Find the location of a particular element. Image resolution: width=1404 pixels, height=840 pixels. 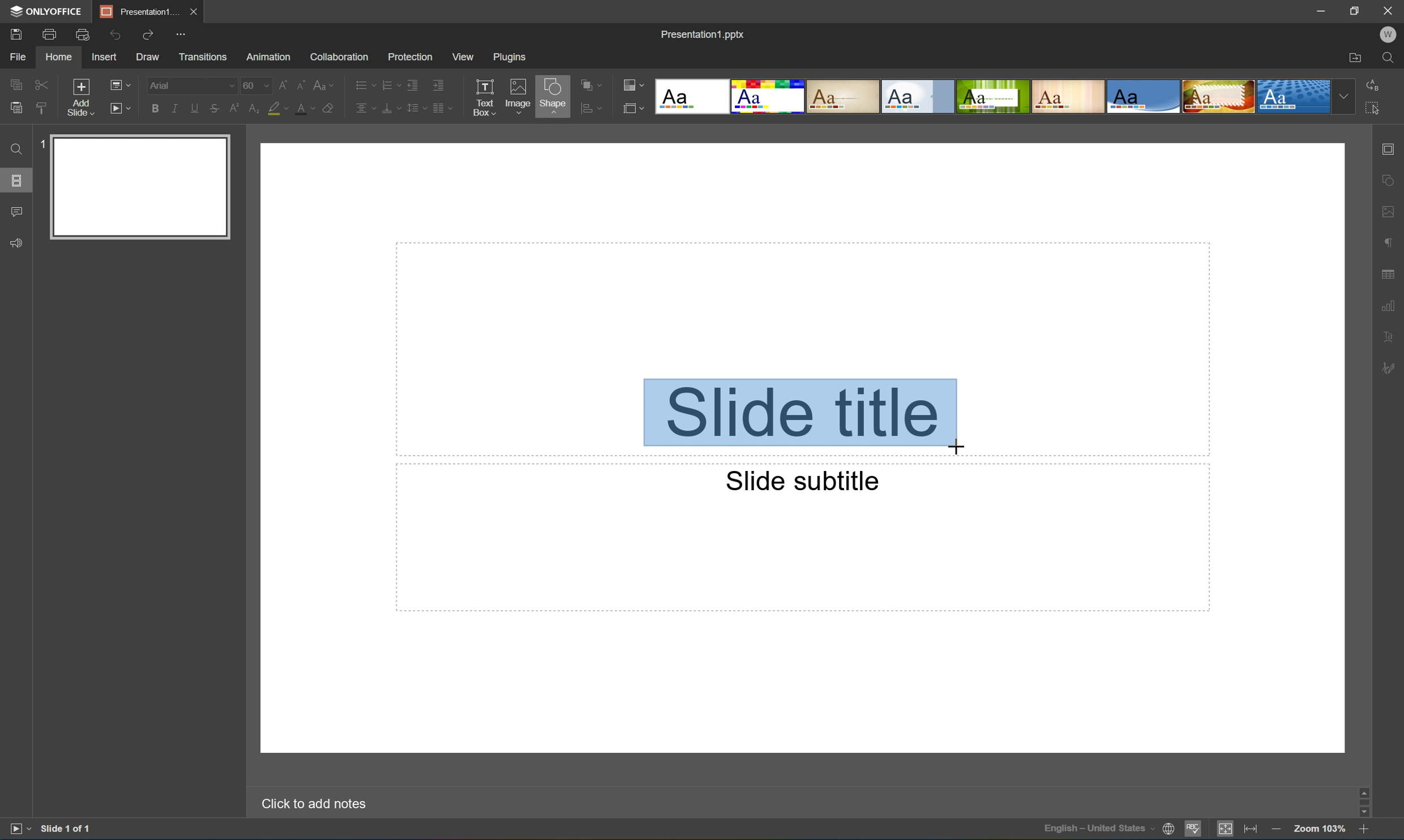

Zoom in is located at coordinates (1363, 830).